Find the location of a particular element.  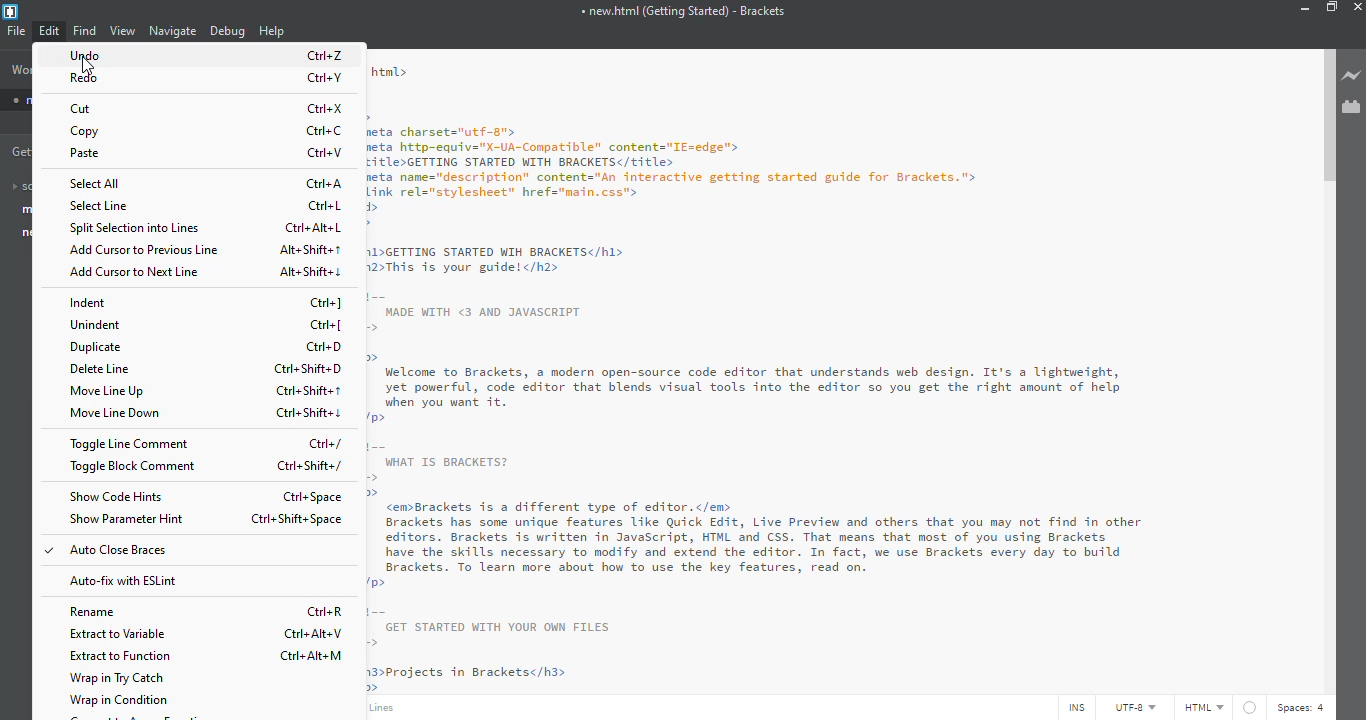

find is located at coordinates (86, 31).